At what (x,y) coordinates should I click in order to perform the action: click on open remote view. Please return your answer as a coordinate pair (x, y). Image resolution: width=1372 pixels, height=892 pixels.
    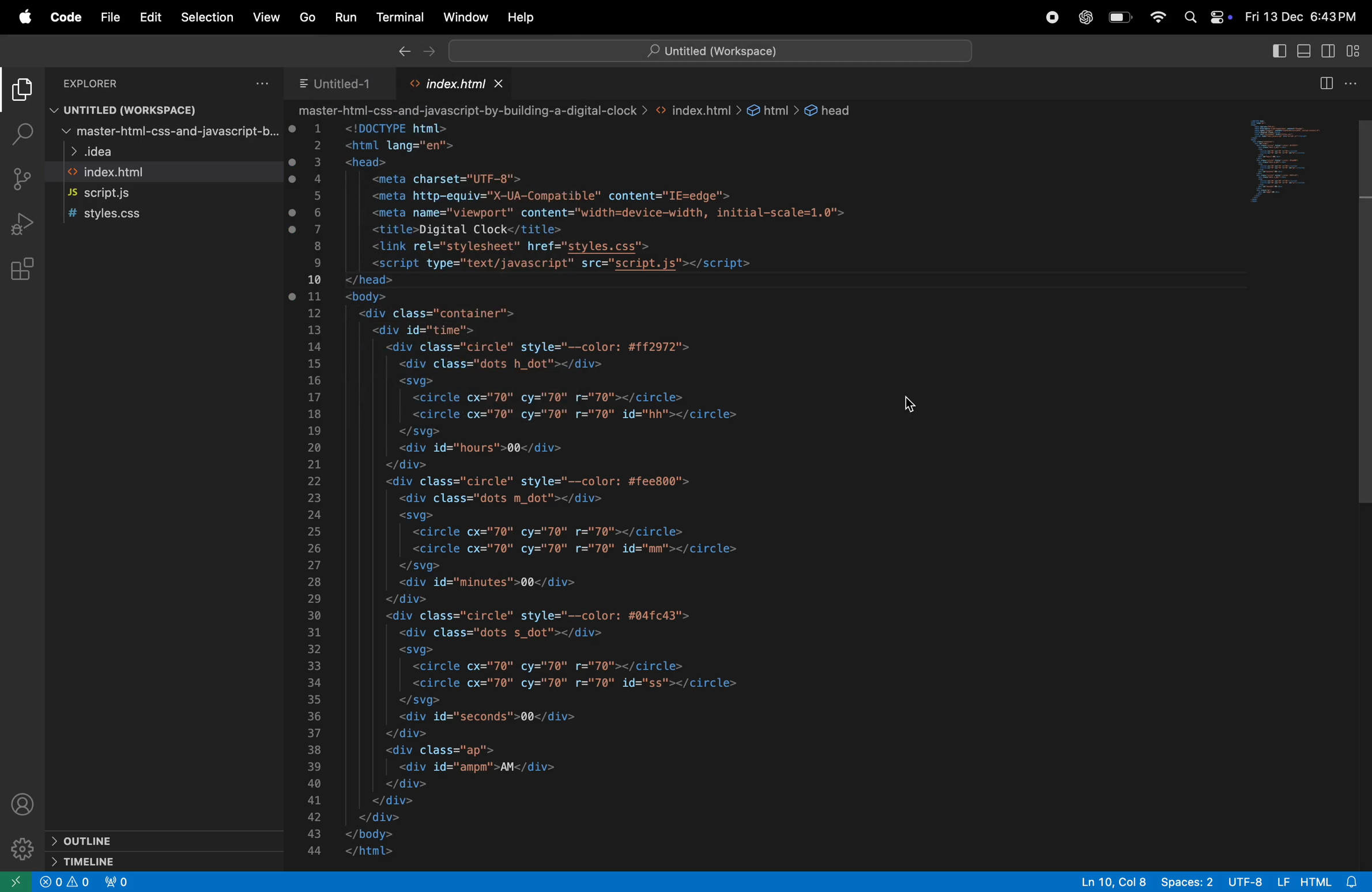
    Looking at the image, I should click on (18, 880).